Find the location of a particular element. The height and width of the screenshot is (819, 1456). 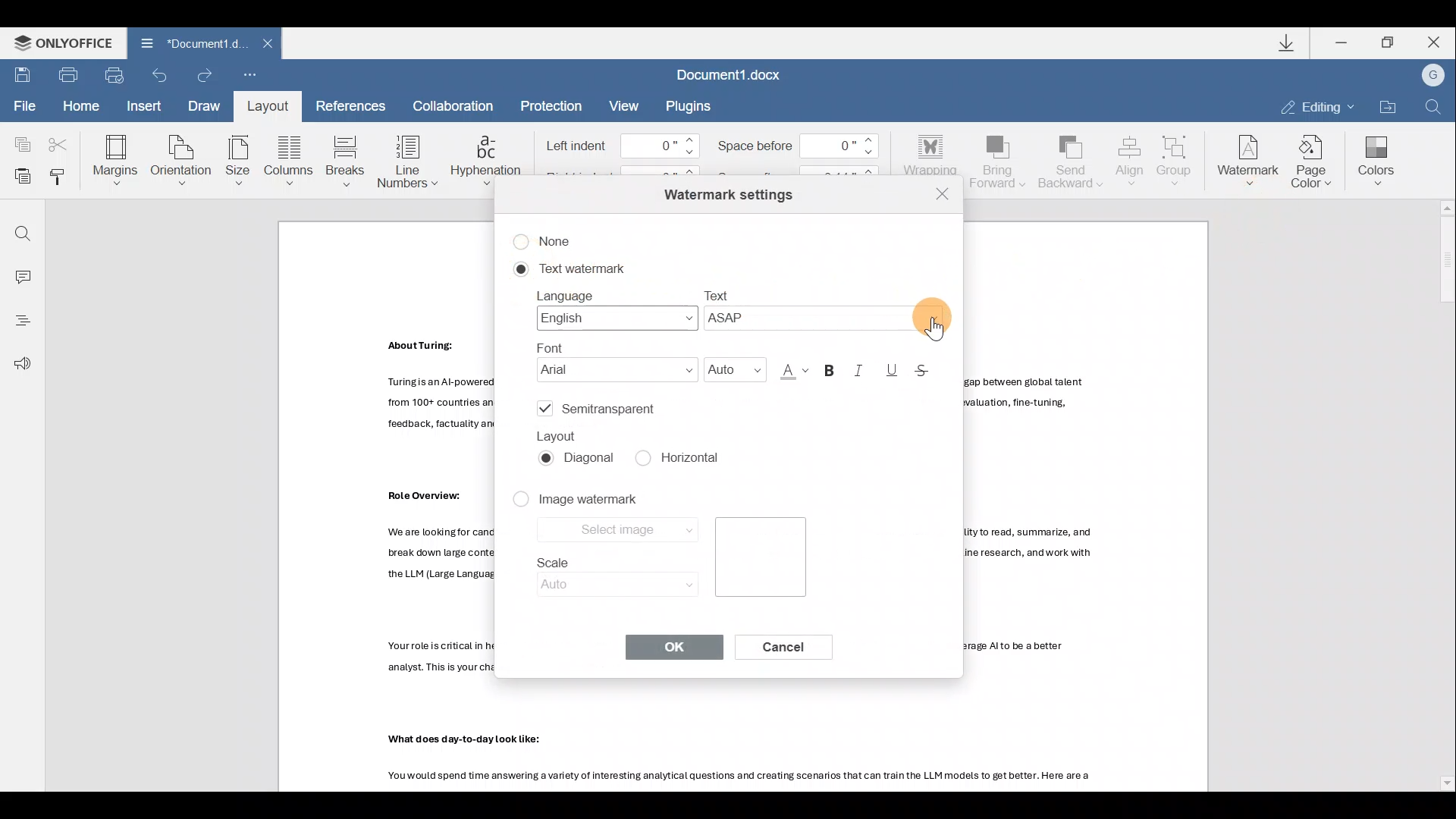

Quick print is located at coordinates (115, 74).